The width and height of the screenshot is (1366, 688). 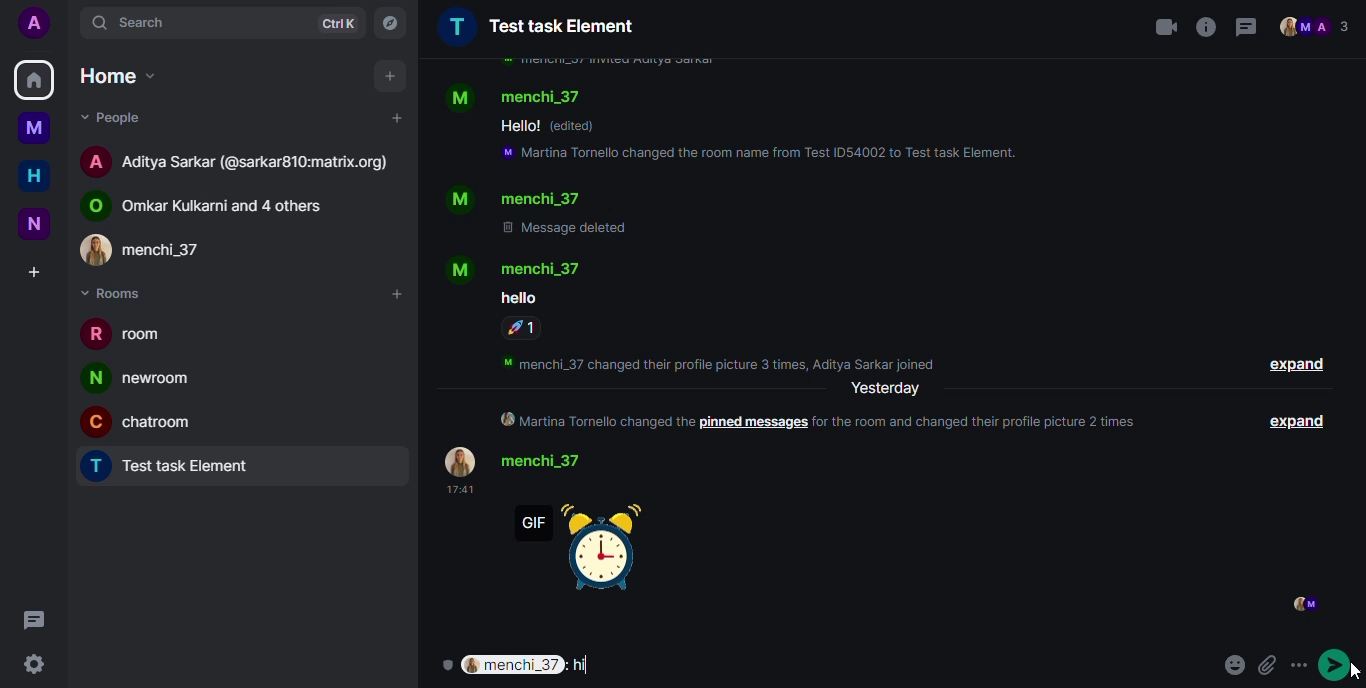 I want to click on add, so click(x=395, y=118).